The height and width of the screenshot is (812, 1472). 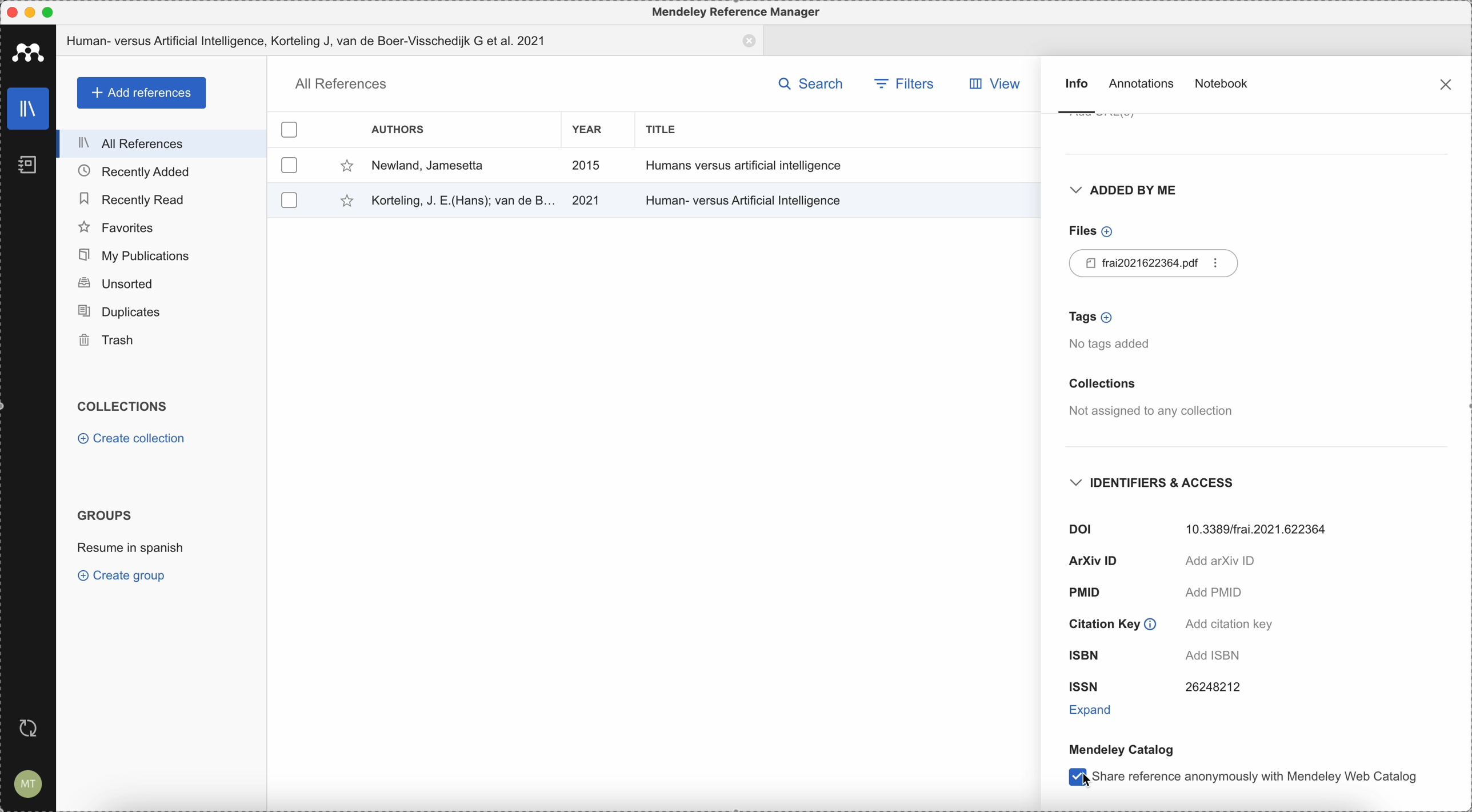 What do you see at coordinates (1114, 331) in the screenshot?
I see `tags no tags added` at bounding box center [1114, 331].